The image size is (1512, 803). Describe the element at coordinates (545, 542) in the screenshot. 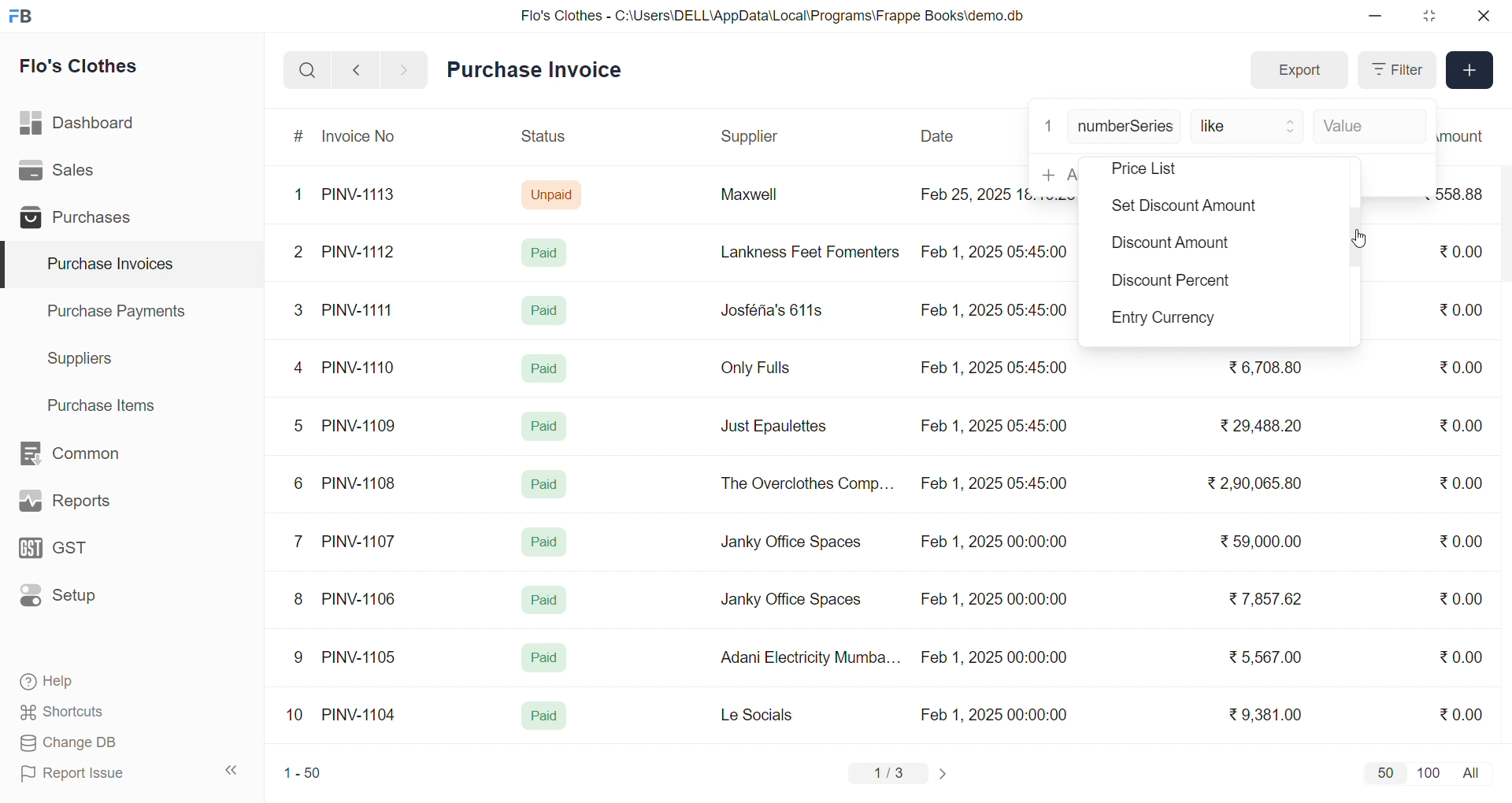

I see `Paid` at that location.